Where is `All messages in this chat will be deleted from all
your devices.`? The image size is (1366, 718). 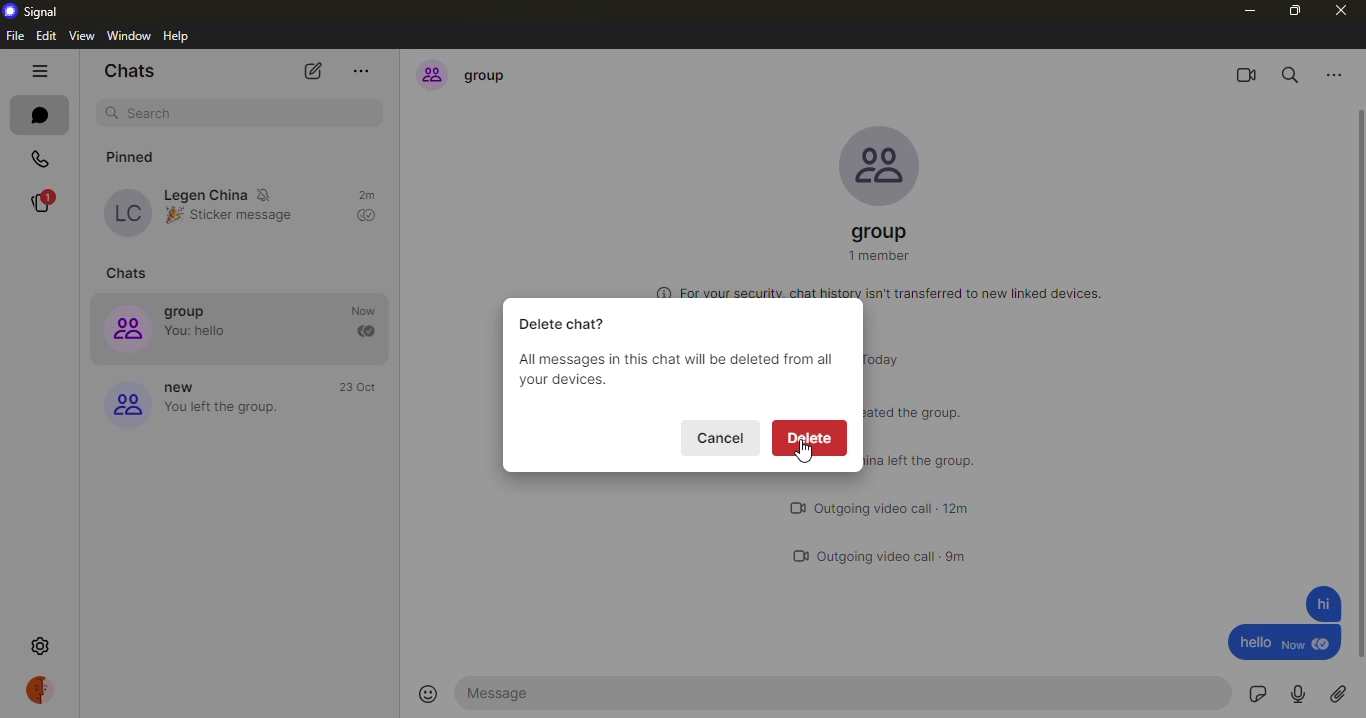 All messages in this chat will be deleted from all
your devices. is located at coordinates (679, 371).